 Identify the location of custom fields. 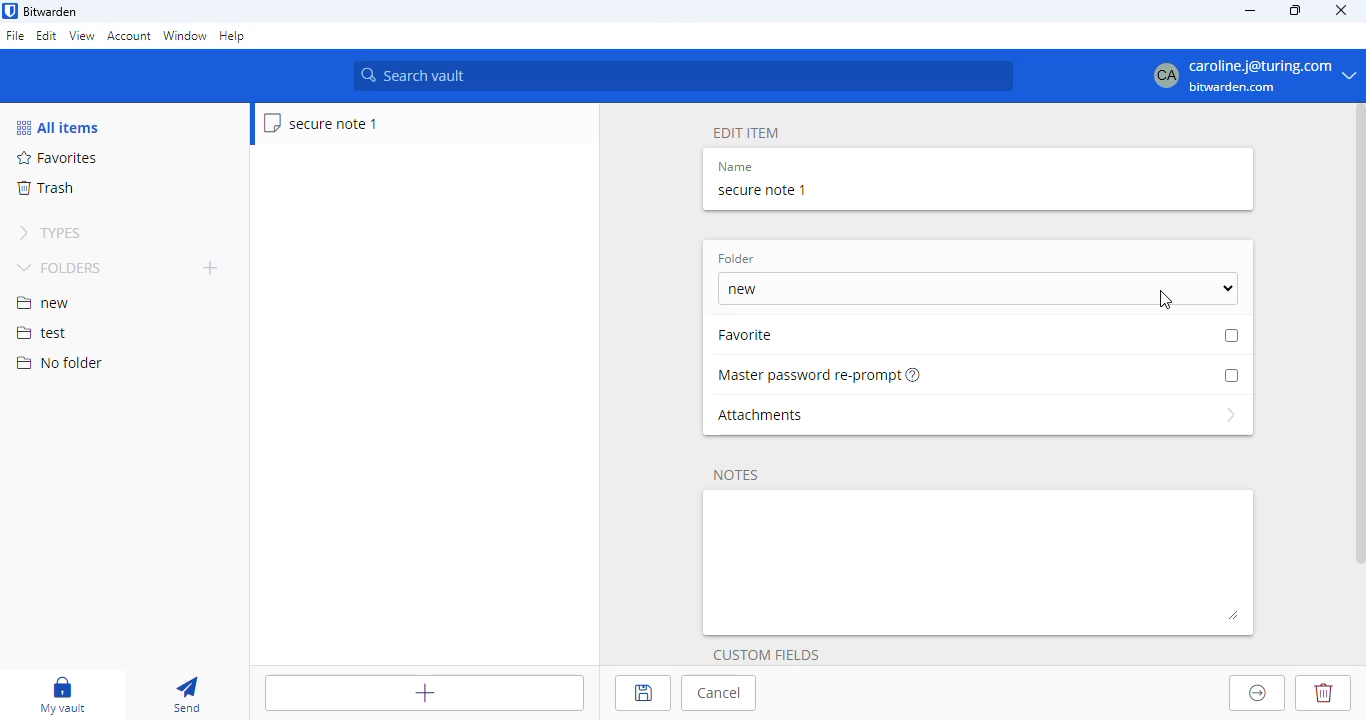
(766, 655).